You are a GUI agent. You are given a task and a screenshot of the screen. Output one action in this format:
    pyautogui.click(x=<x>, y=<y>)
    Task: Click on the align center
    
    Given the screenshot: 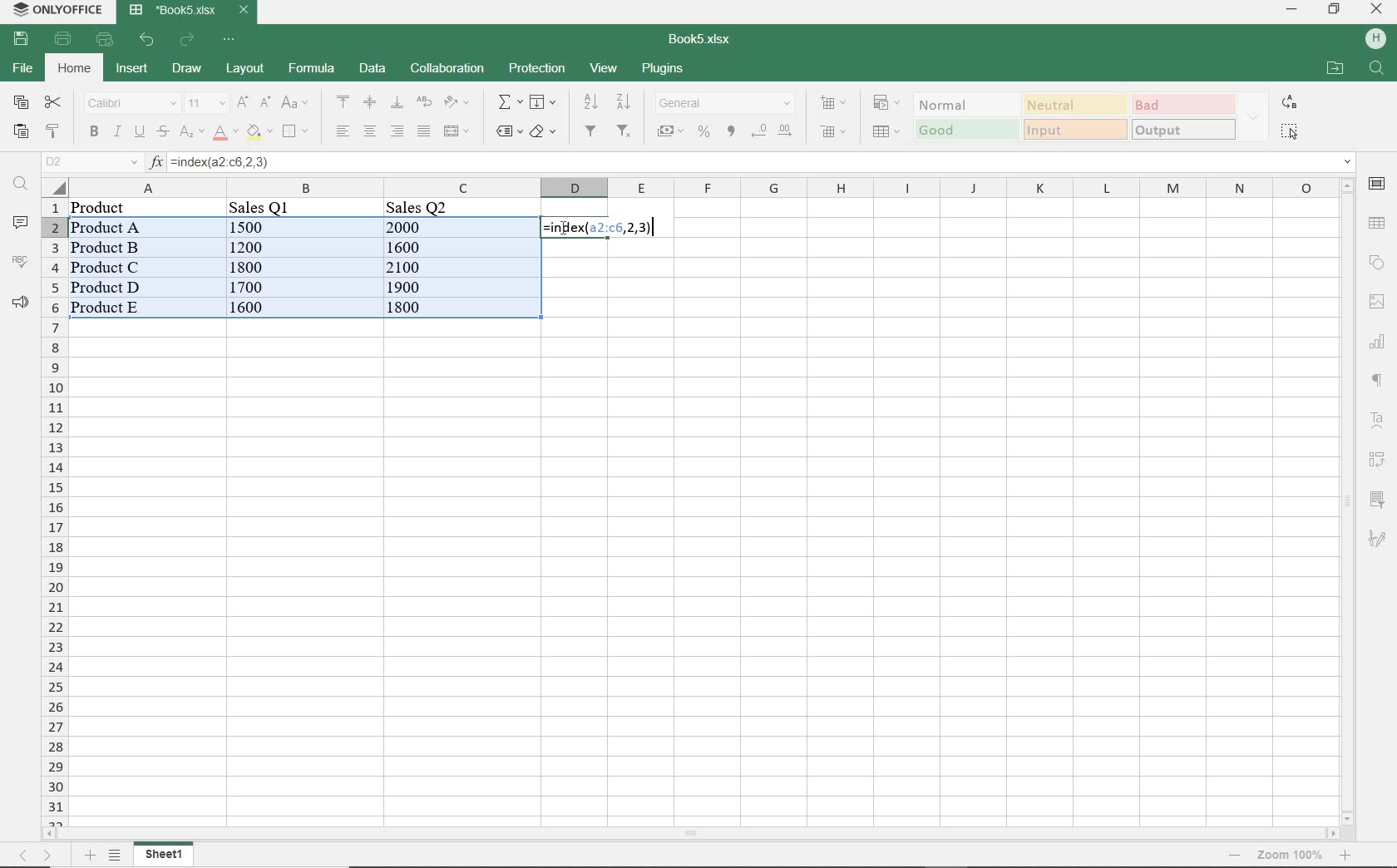 What is the action you would take?
    pyautogui.click(x=369, y=131)
    